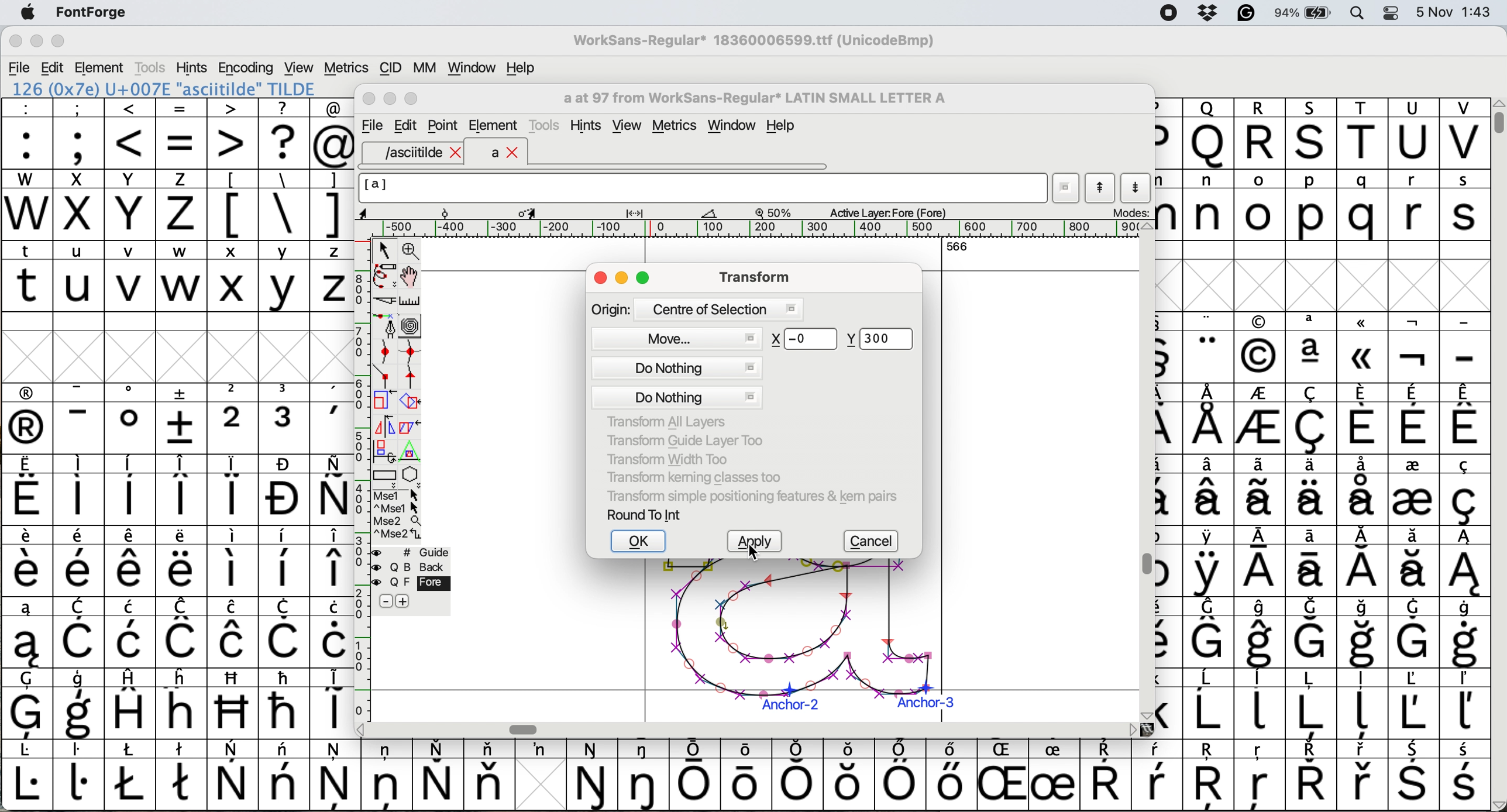 This screenshot has width=1507, height=812. Describe the element at coordinates (670, 422) in the screenshot. I see `transform all layers` at that location.